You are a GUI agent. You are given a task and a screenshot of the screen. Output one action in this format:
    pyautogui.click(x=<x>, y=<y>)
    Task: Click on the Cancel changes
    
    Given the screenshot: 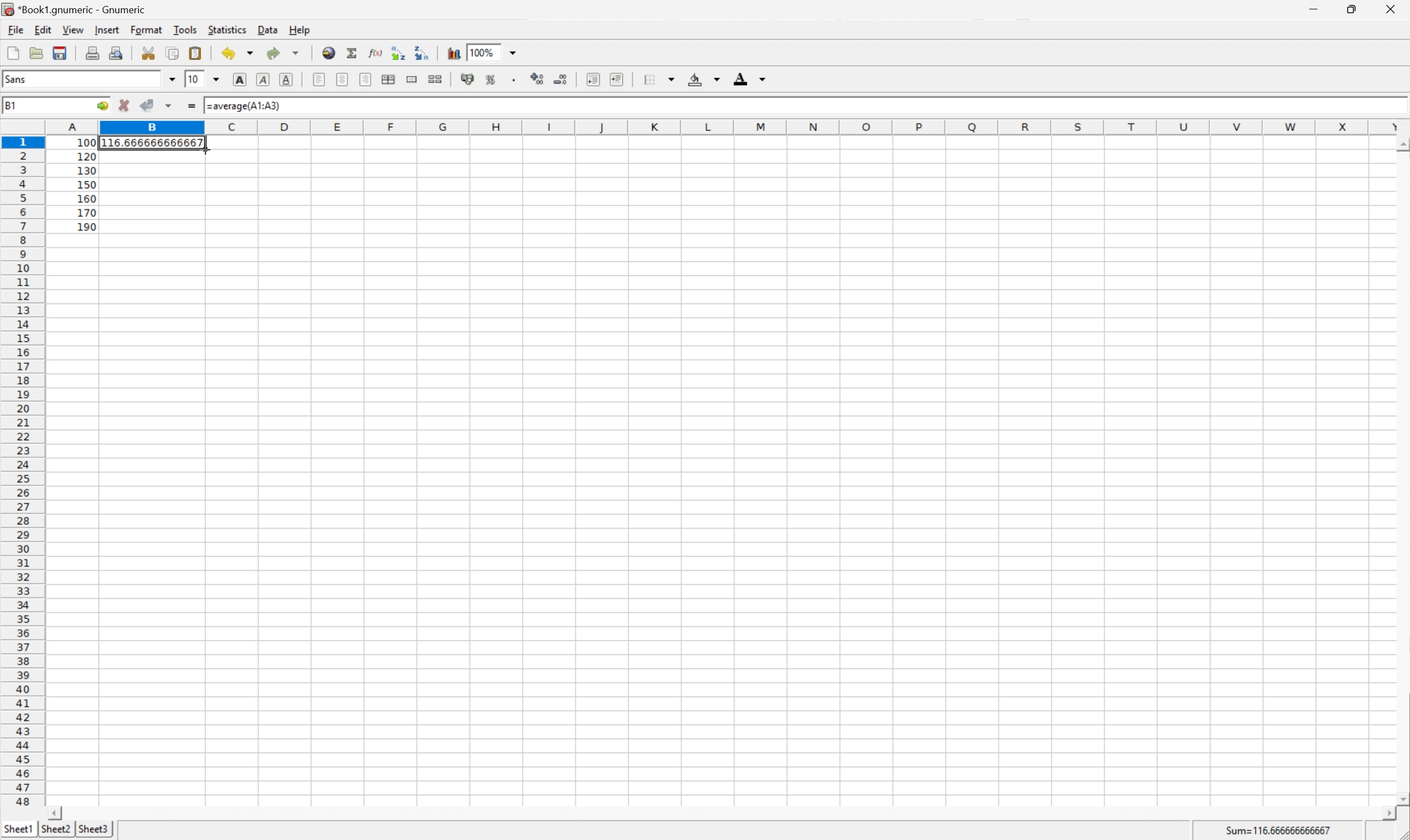 What is the action you would take?
    pyautogui.click(x=127, y=105)
    